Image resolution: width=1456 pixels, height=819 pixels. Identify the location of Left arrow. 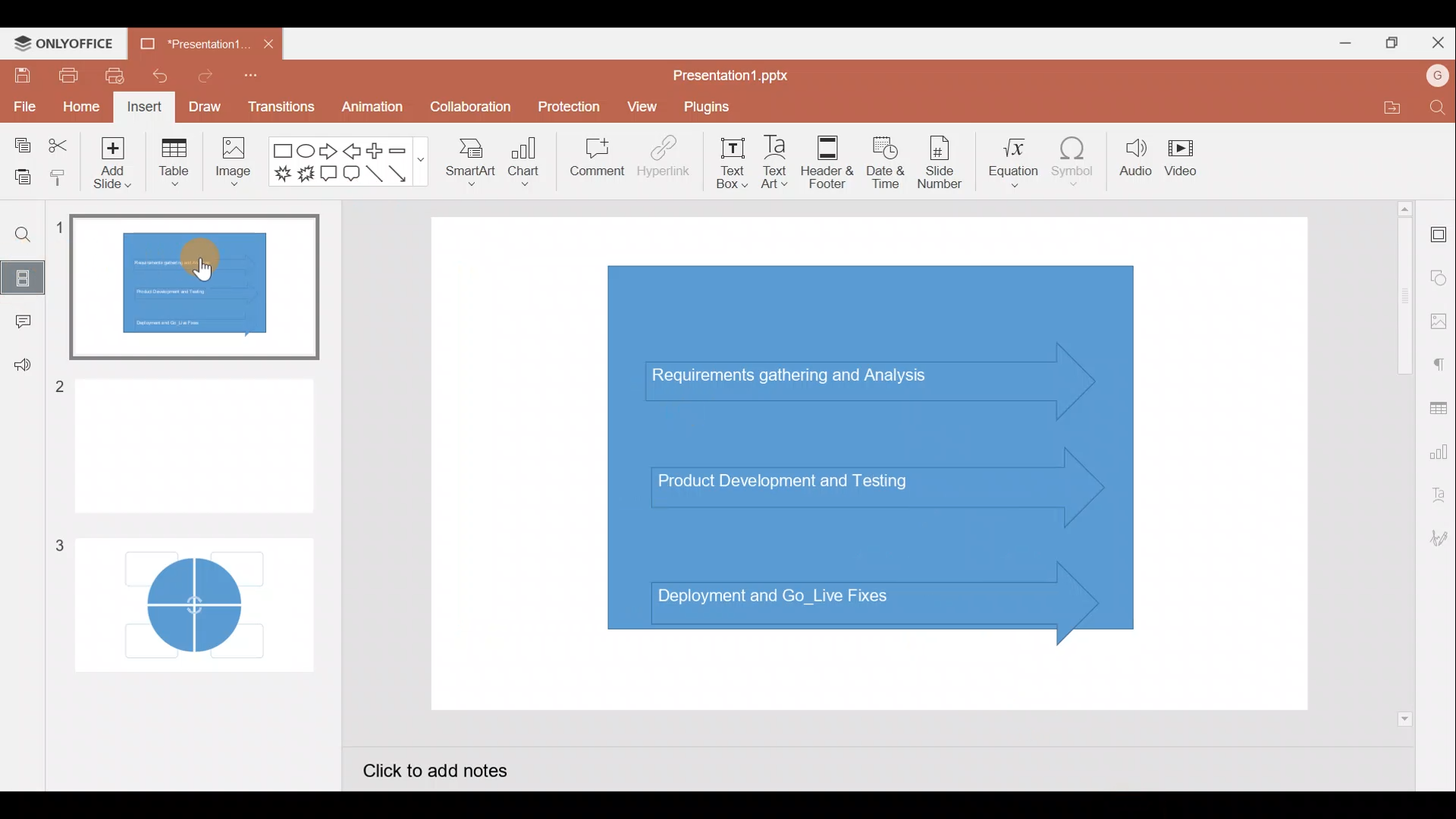
(351, 152).